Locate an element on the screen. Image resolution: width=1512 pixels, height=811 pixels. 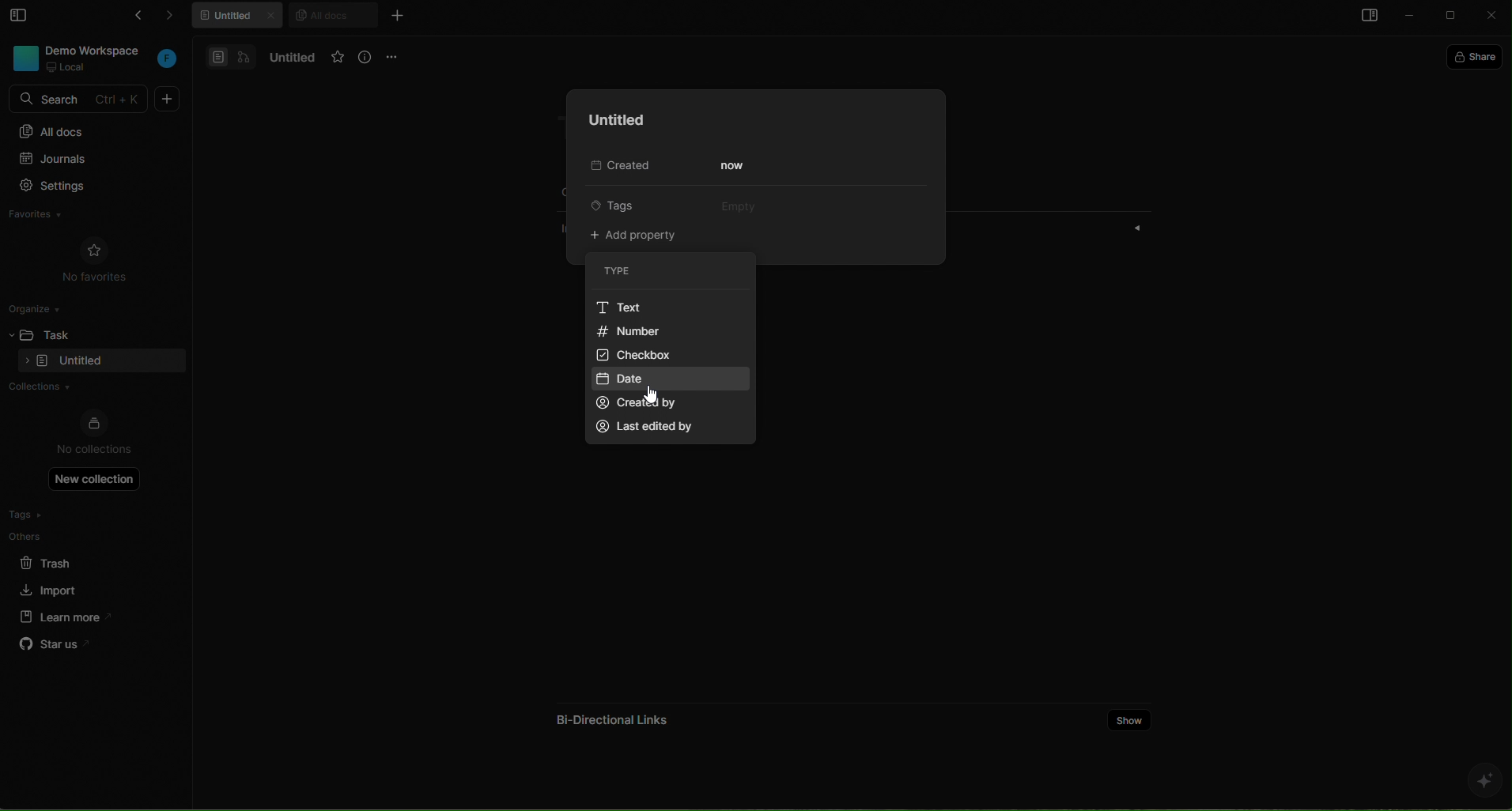
import is located at coordinates (51, 588).